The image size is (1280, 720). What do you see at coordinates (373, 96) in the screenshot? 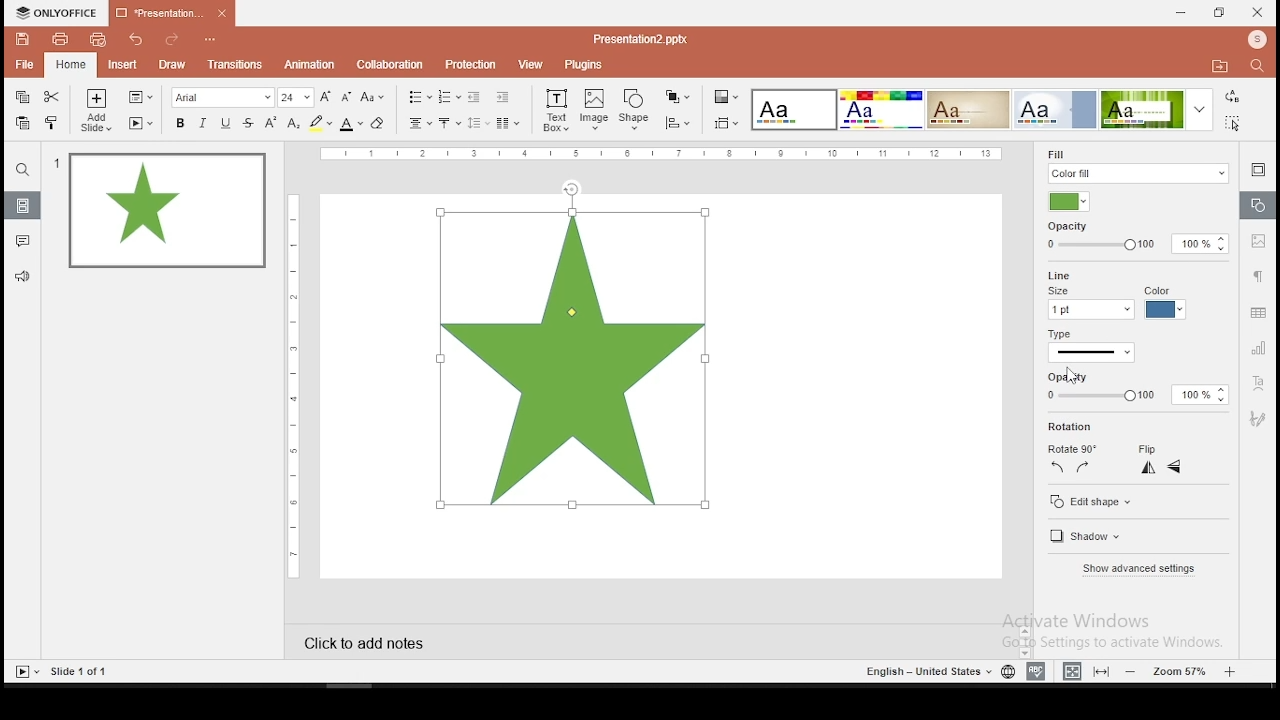
I see `change case` at bounding box center [373, 96].